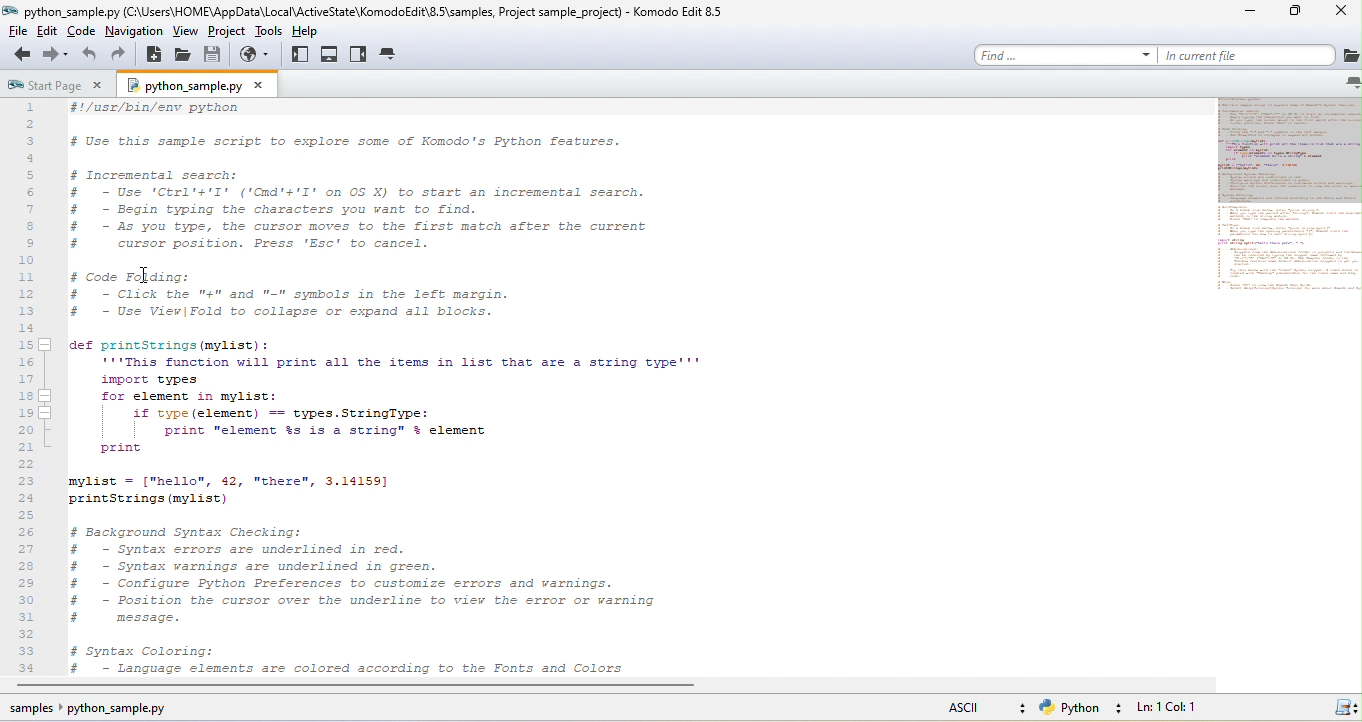 The image size is (1362, 722). I want to click on open, so click(178, 56).